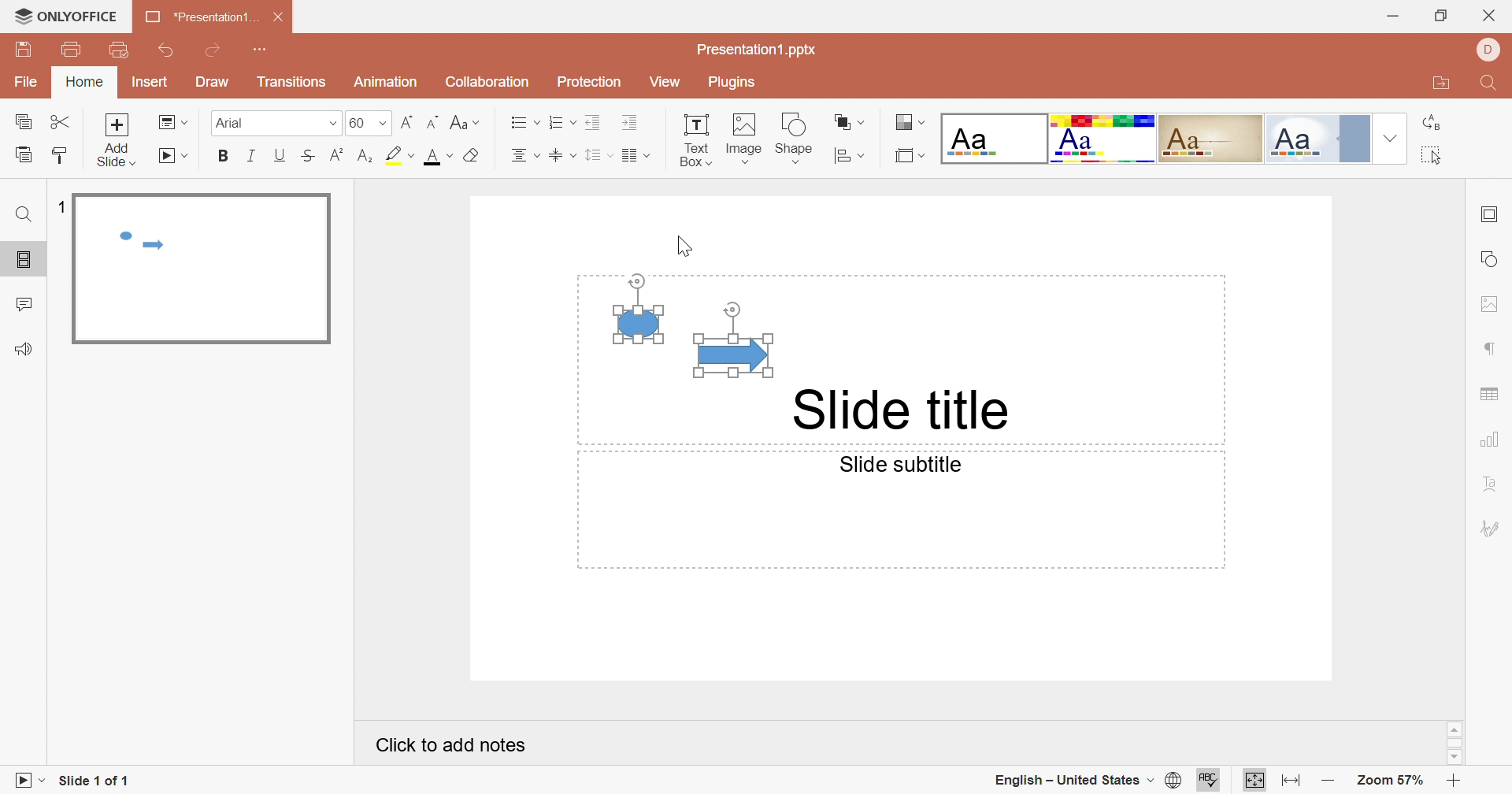  What do you see at coordinates (25, 81) in the screenshot?
I see `File` at bounding box center [25, 81].